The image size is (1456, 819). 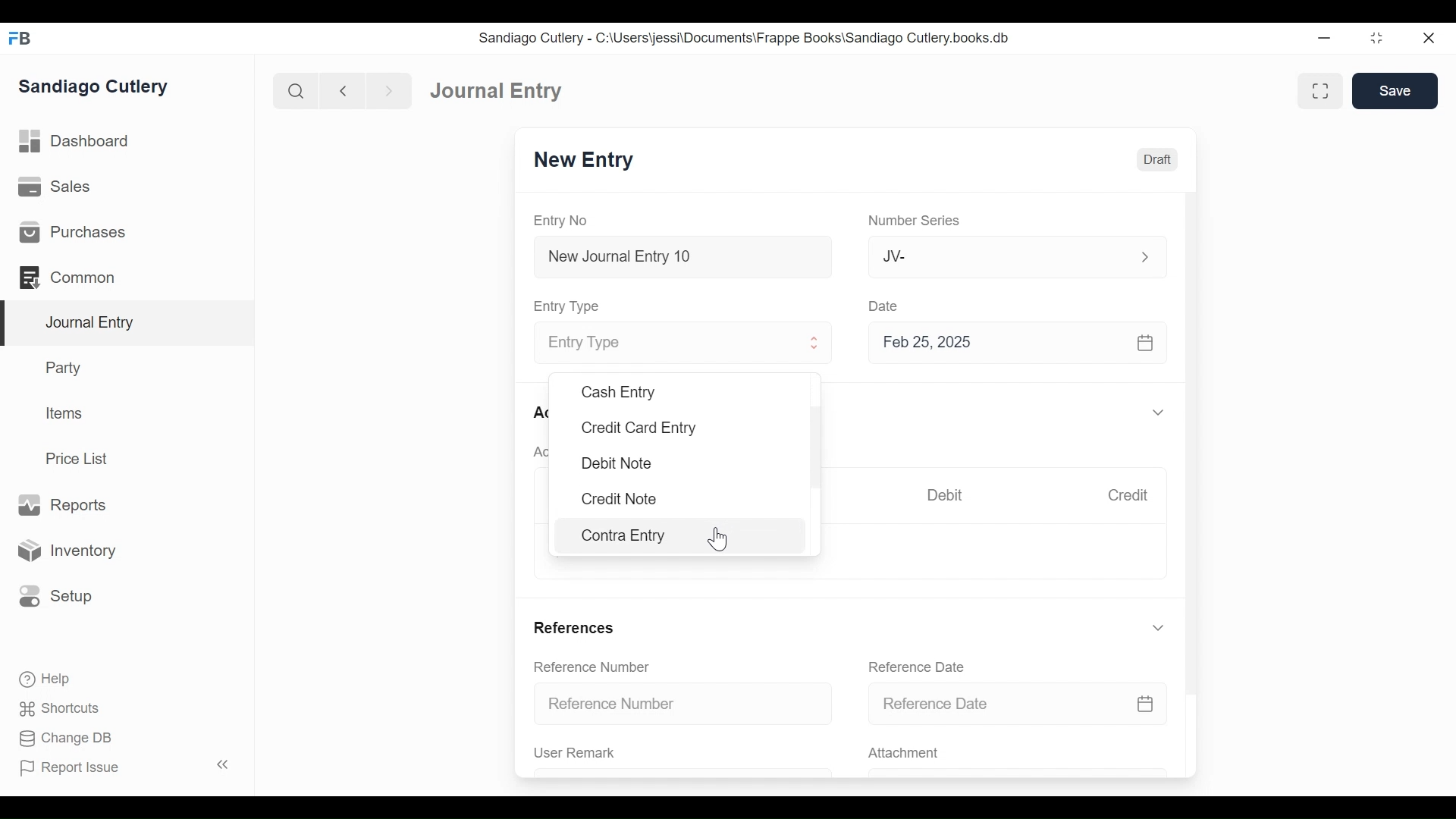 I want to click on Credit Note, so click(x=620, y=500).